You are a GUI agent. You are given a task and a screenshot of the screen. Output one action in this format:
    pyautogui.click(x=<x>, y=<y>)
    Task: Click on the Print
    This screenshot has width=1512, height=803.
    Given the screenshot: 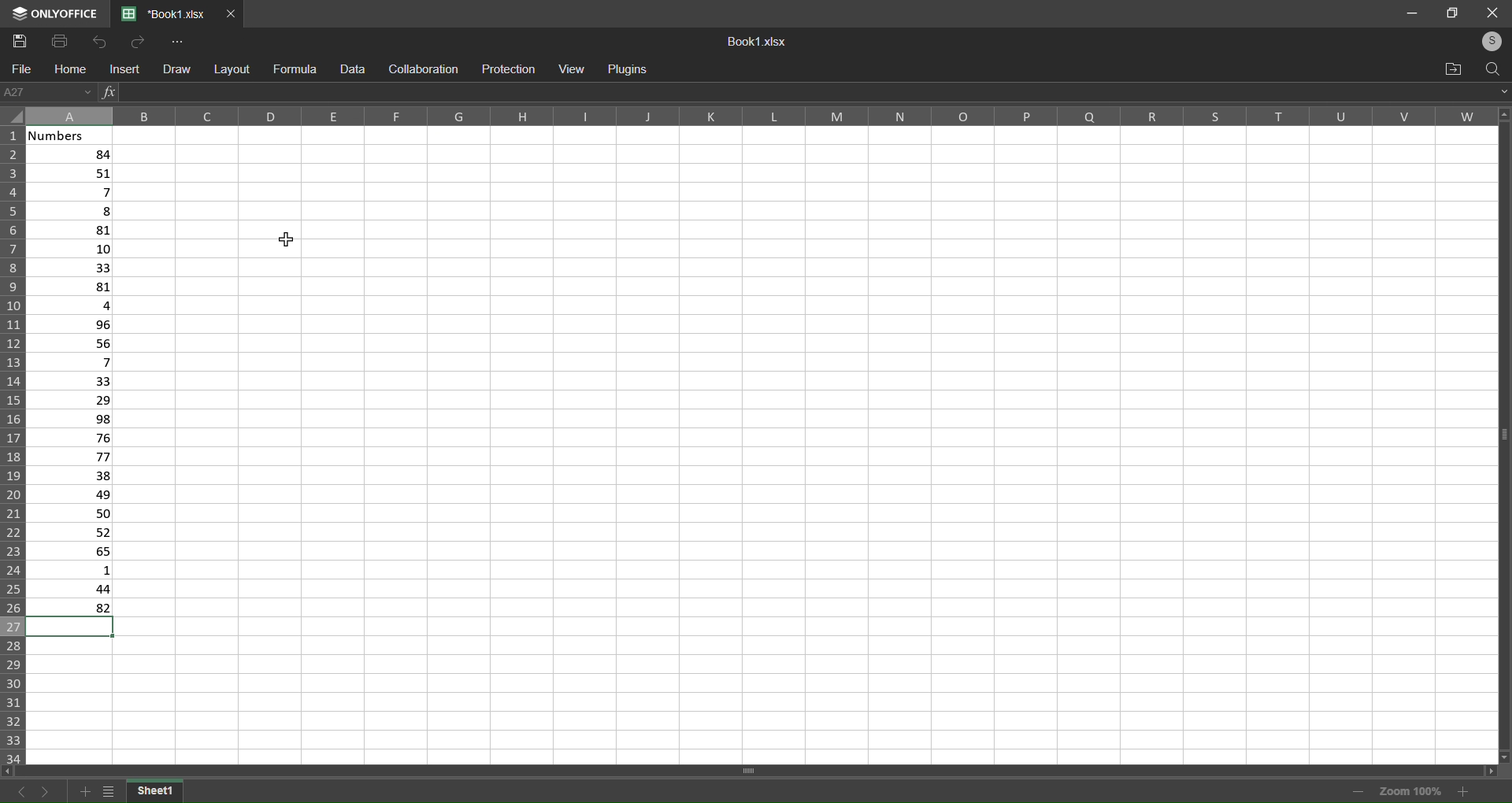 What is the action you would take?
    pyautogui.click(x=58, y=42)
    